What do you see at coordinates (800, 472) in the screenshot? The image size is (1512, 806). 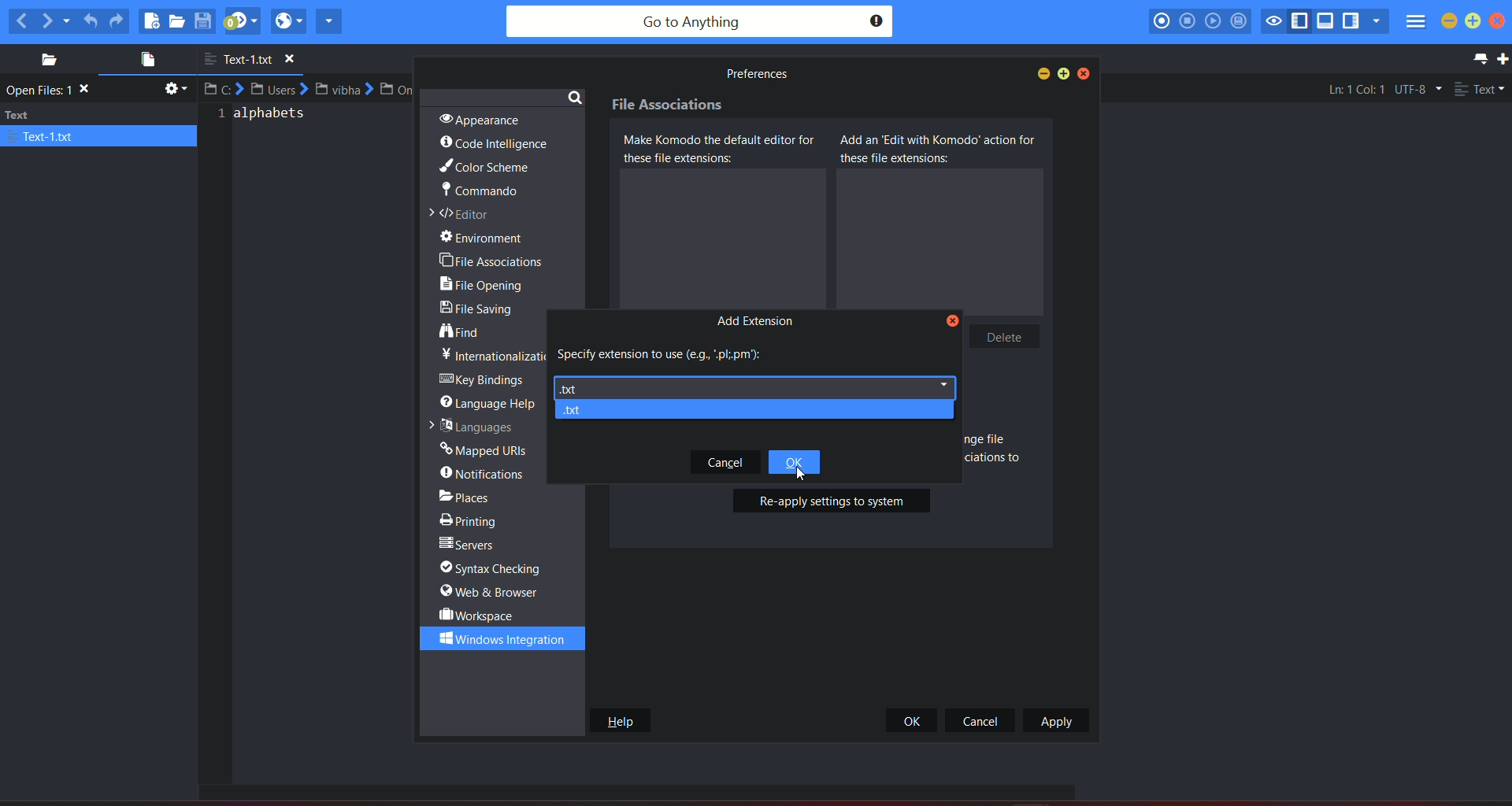 I see `Cursor` at bounding box center [800, 472].